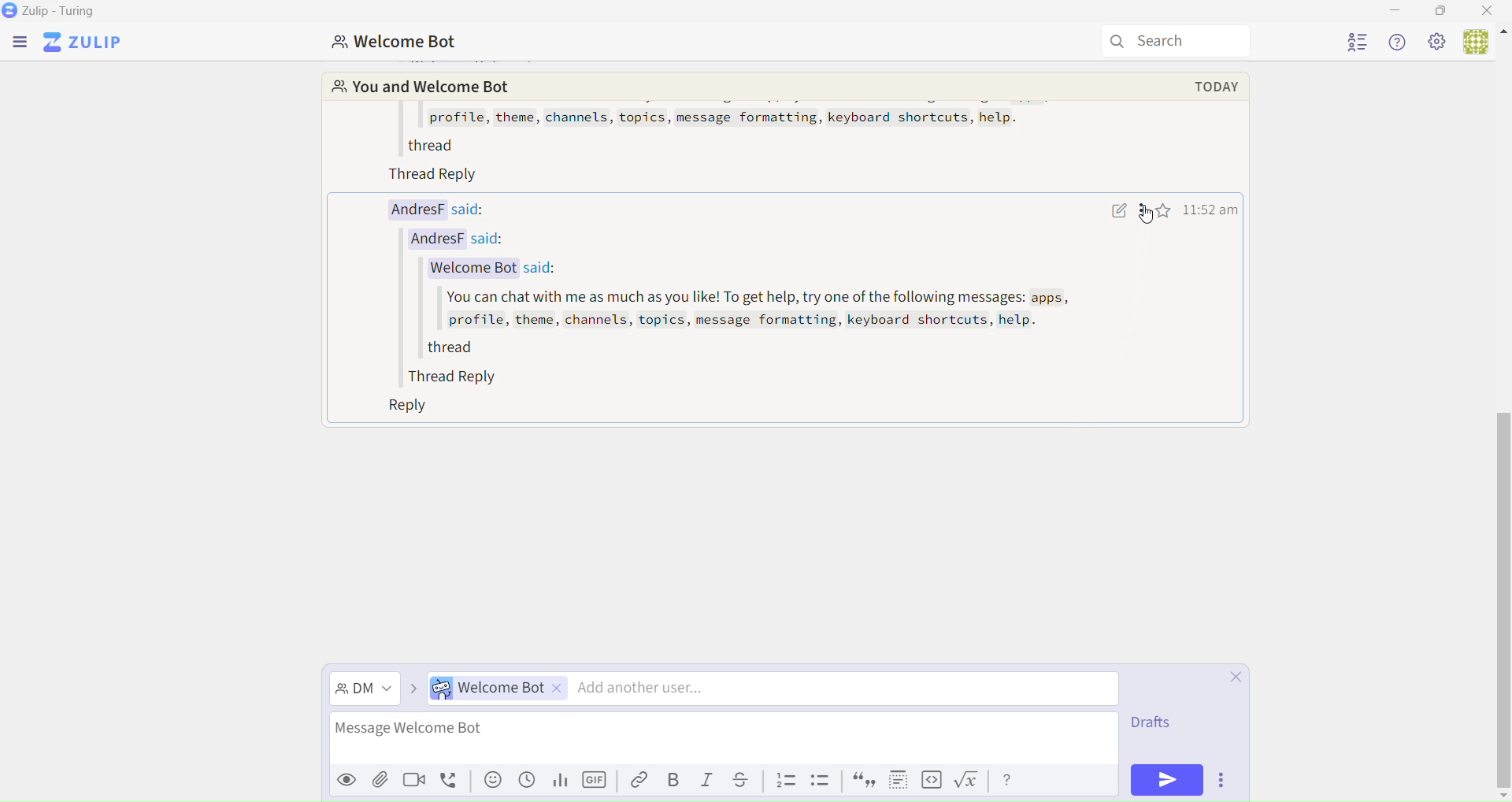 The width and height of the screenshot is (1512, 802). What do you see at coordinates (1167, 212) in the screenshot?
I see `Favourites` at bounding box center [1167, 212].